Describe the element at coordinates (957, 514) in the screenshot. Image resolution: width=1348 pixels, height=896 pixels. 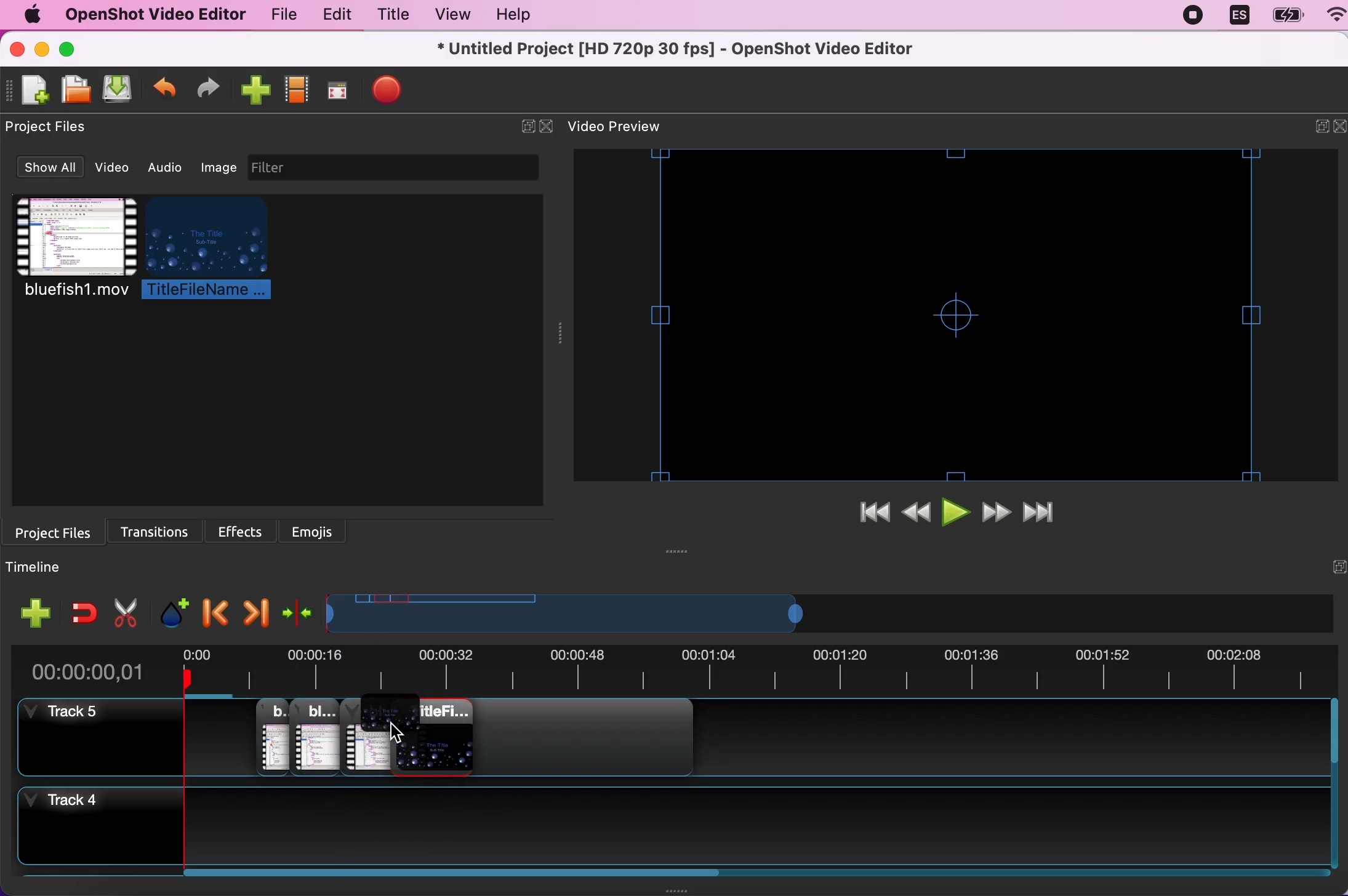
I see `play` at that location.